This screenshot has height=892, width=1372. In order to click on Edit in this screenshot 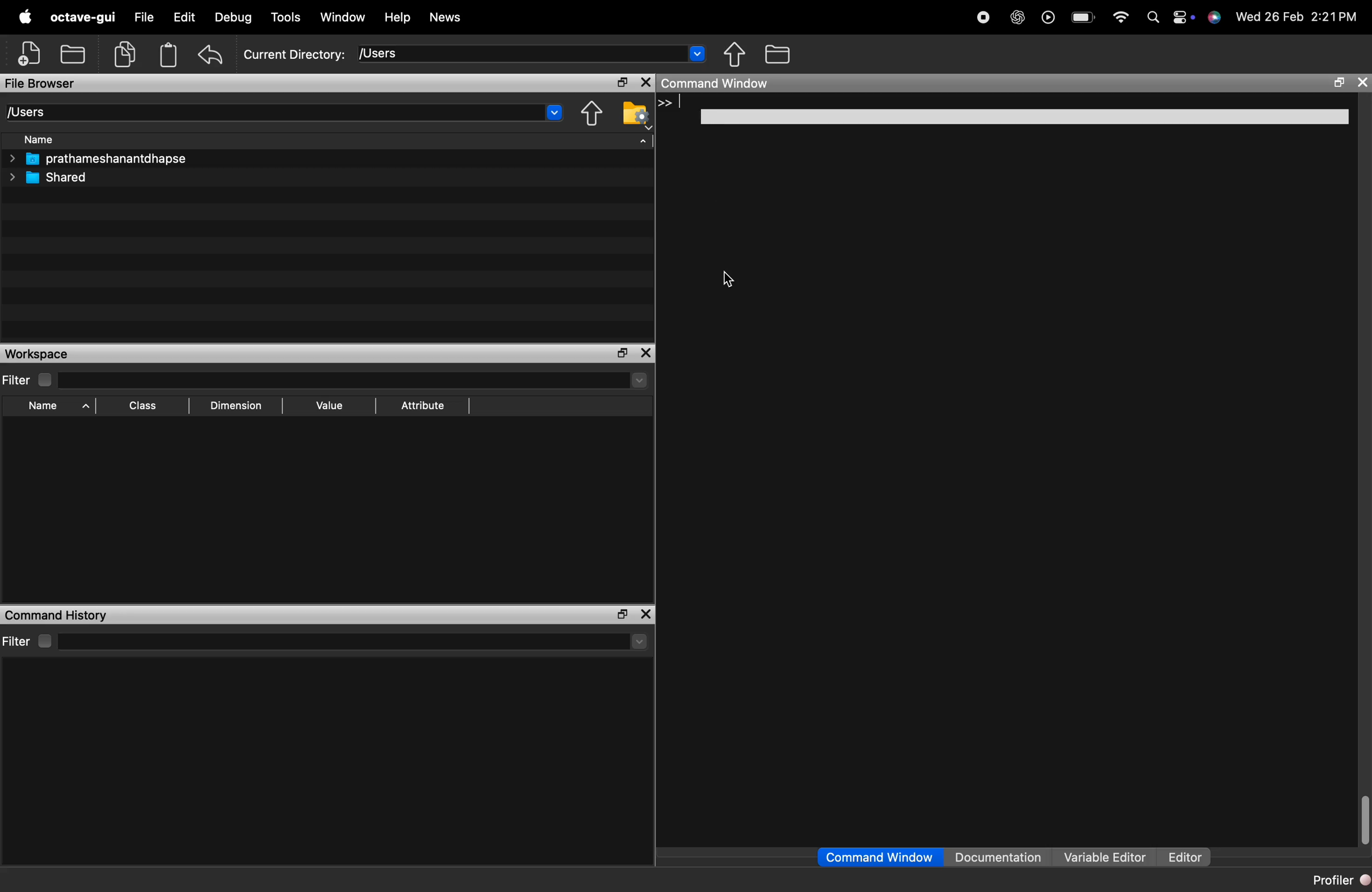, I will do `click(184, 16)`.